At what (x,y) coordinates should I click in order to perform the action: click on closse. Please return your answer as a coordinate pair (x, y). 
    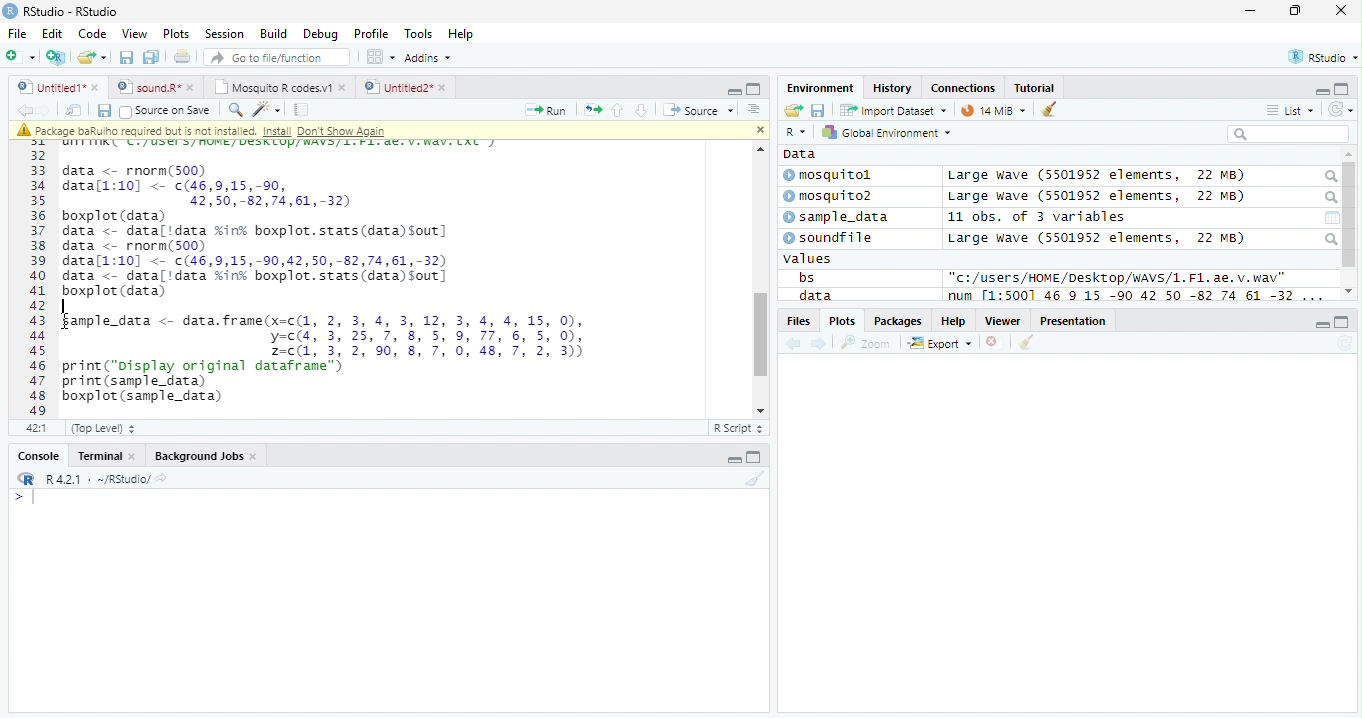
    Looking at the image, I should click on (1342, 10).